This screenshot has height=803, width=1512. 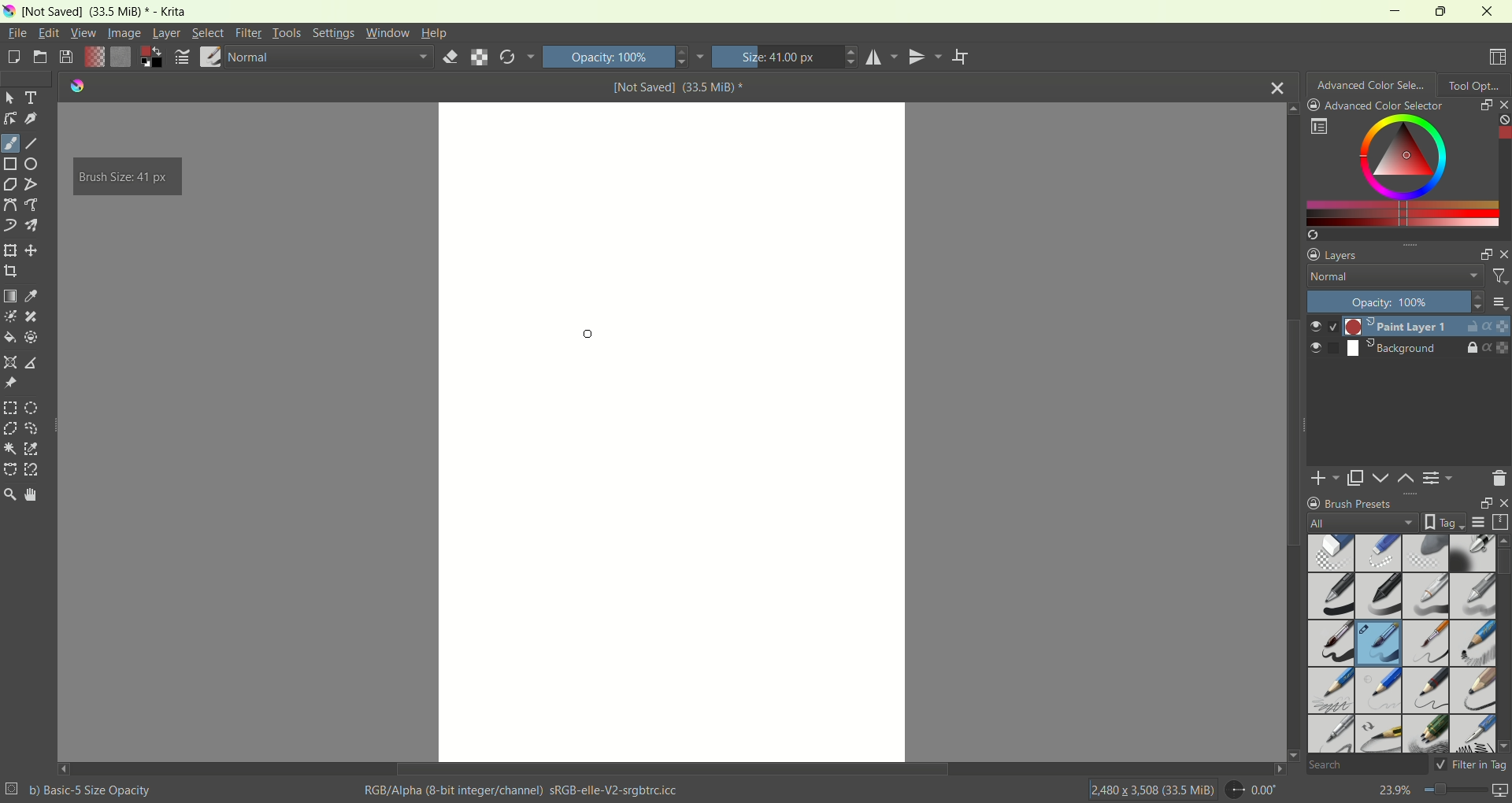 I want to click on Background, so click(x=1372, y=349).